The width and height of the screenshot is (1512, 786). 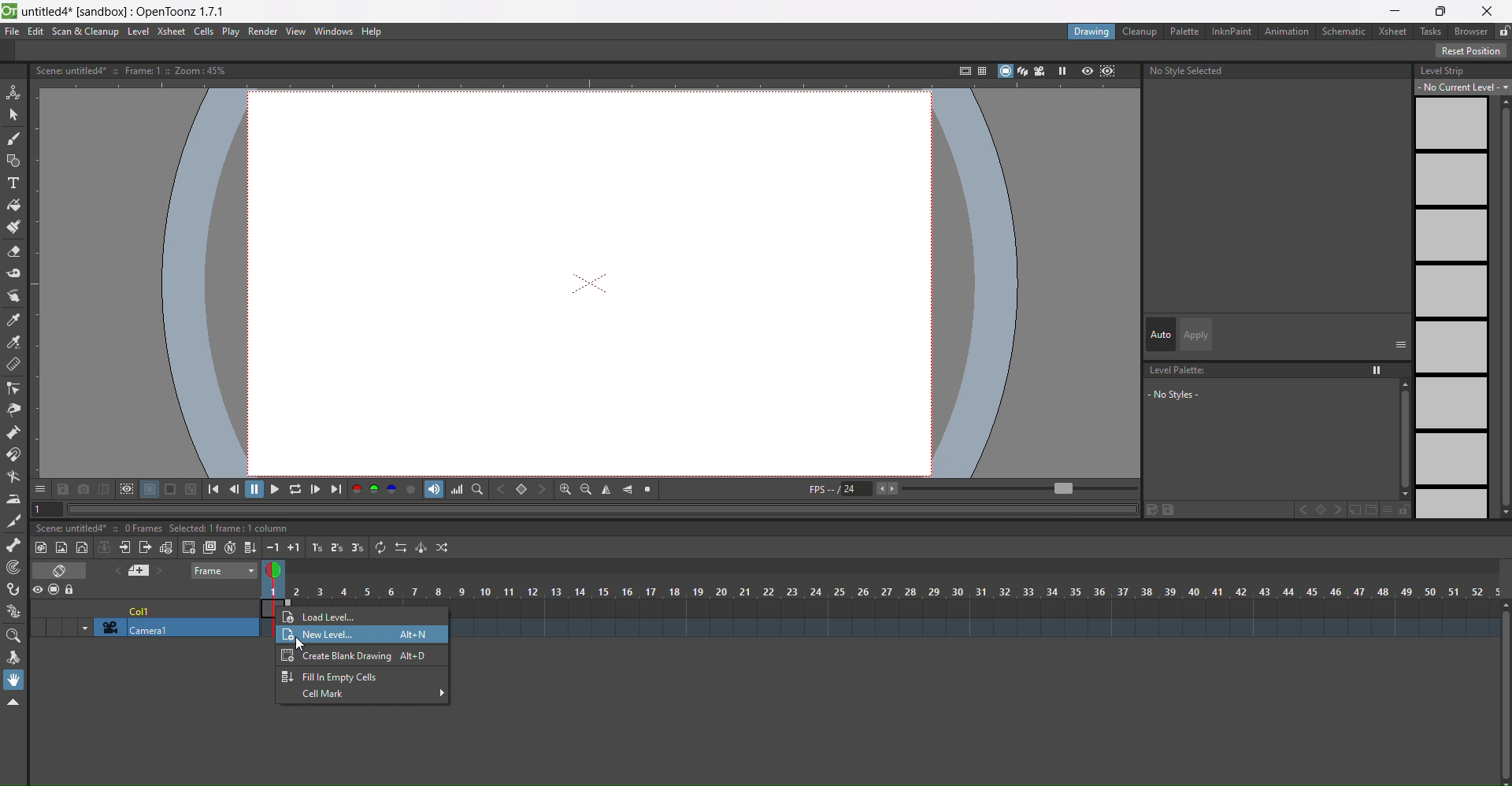 I want to click on tool, so click(x=103, y=488).